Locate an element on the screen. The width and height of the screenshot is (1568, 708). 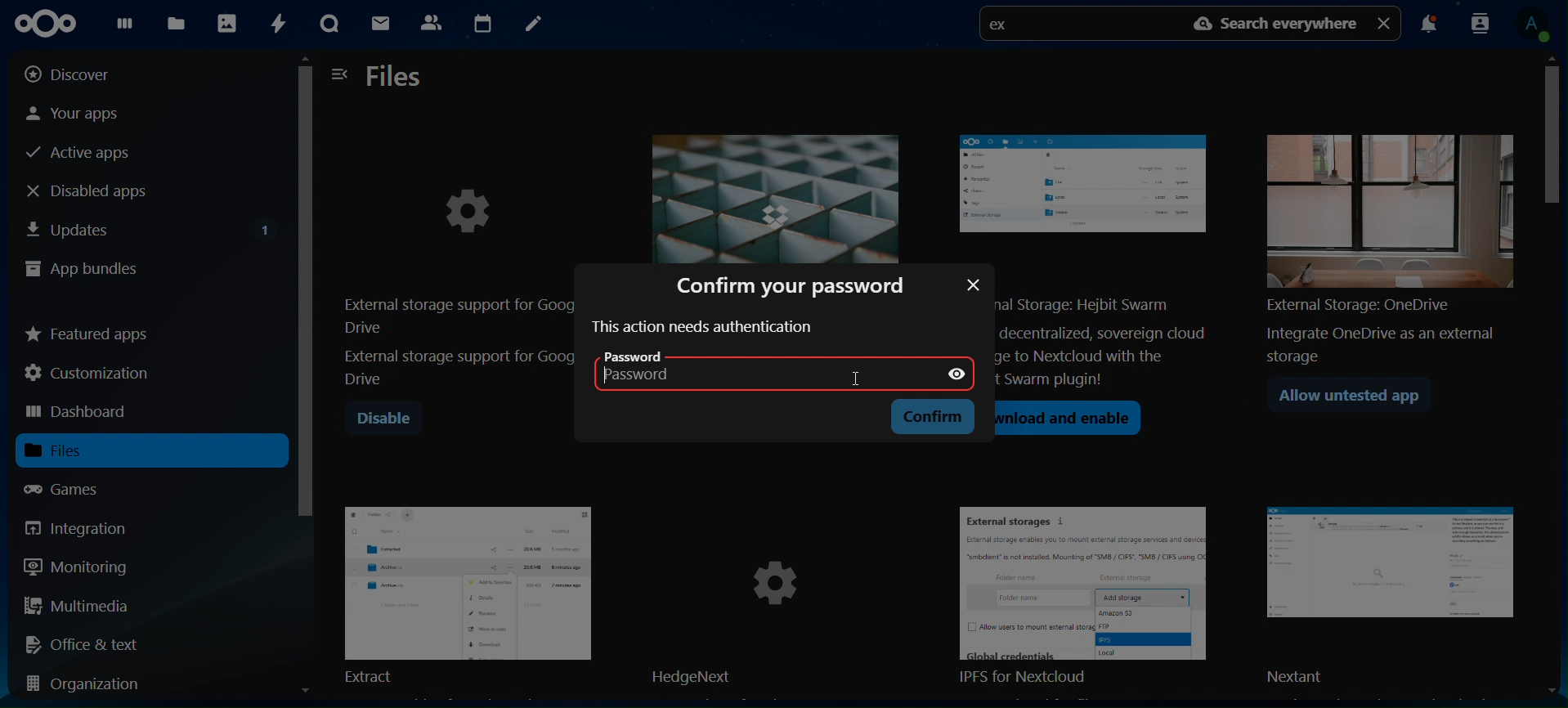
Nextant is located at coordinates (1396, 597).